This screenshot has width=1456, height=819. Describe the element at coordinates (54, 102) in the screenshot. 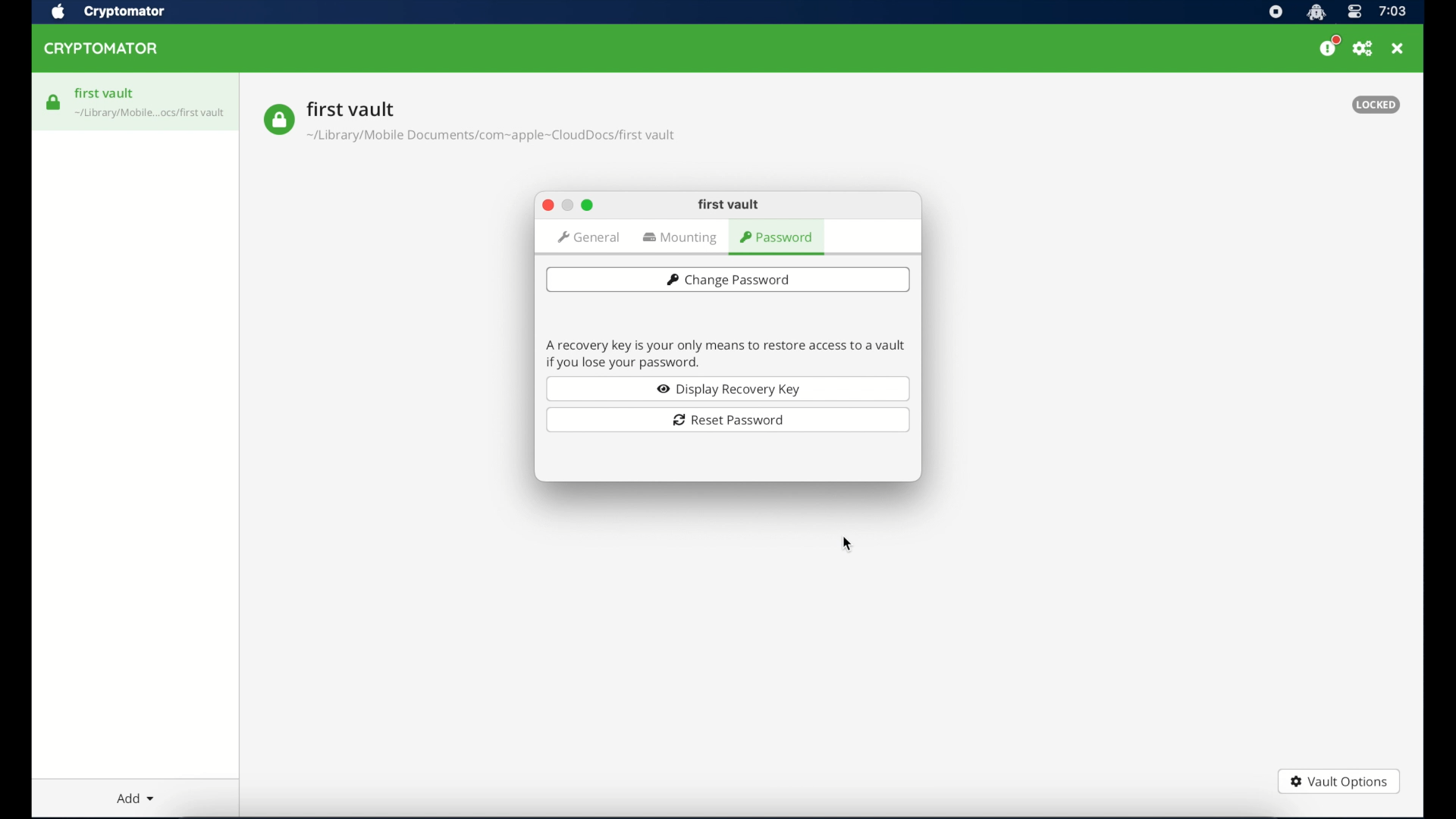

I see `vault icon` at that location.